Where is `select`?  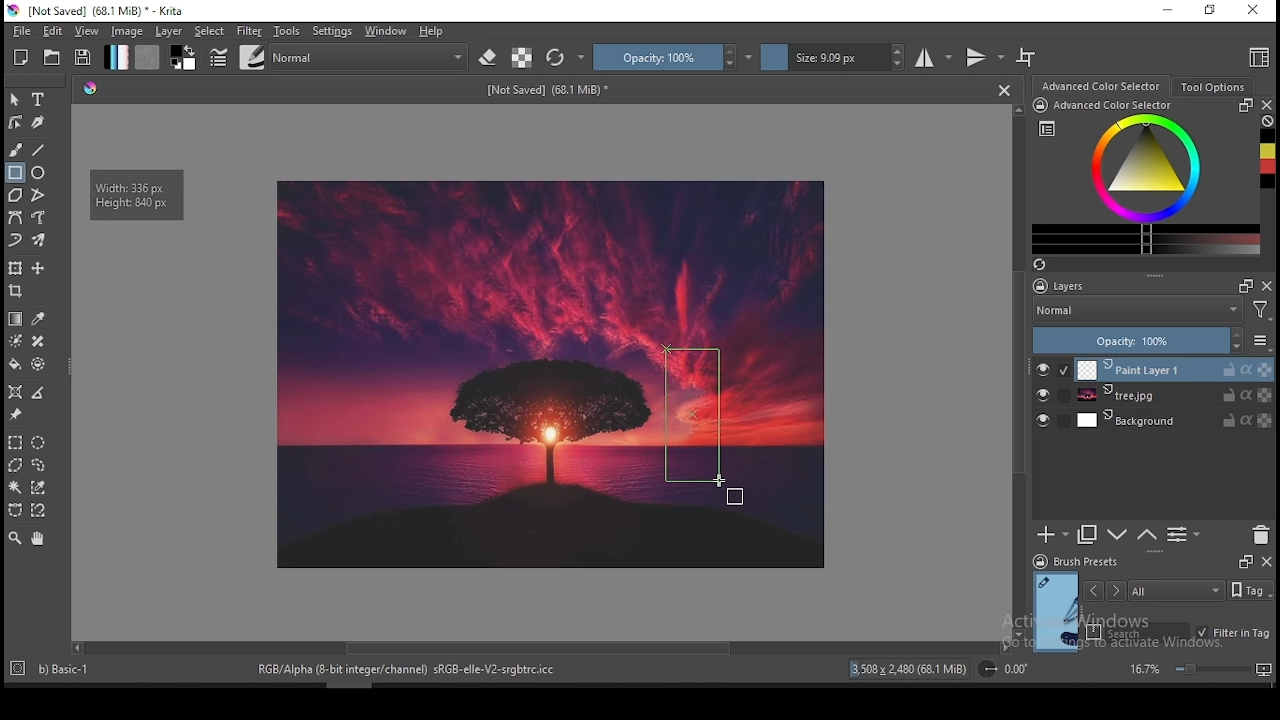 select is located at coordinates (211, 31).